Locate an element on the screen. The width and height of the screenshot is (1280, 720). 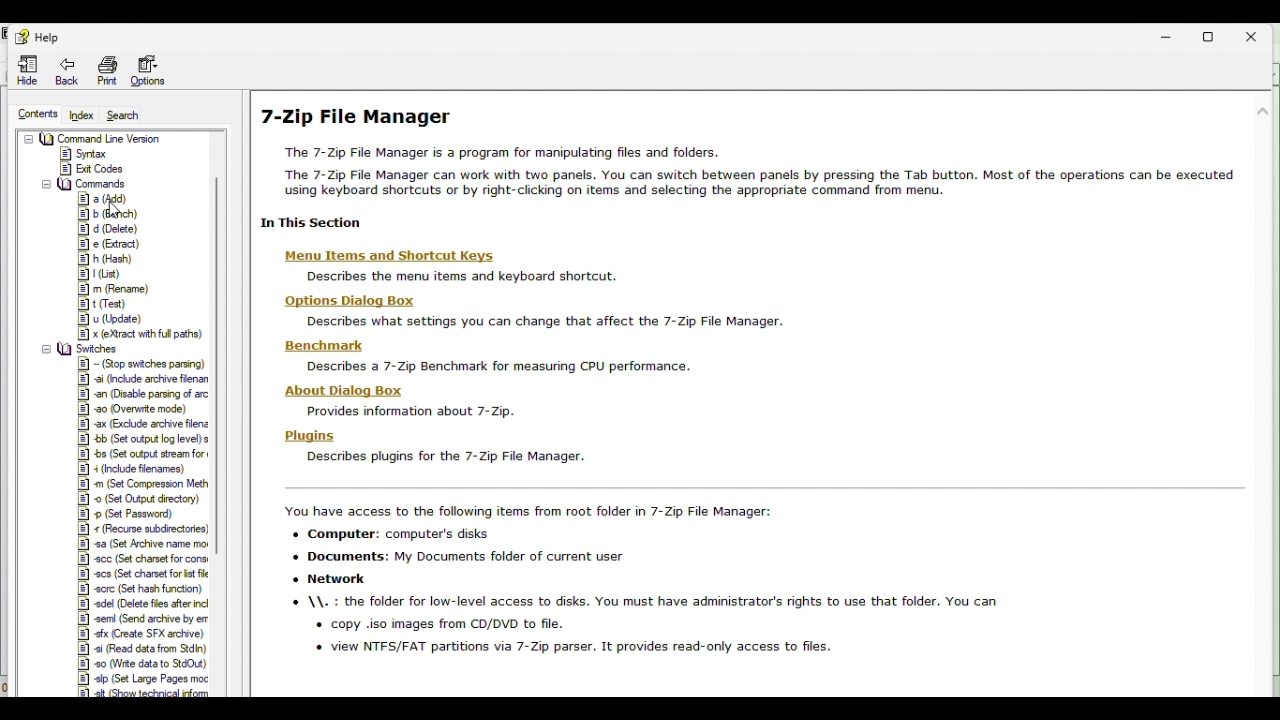
a is located at coordinates (104, 201).